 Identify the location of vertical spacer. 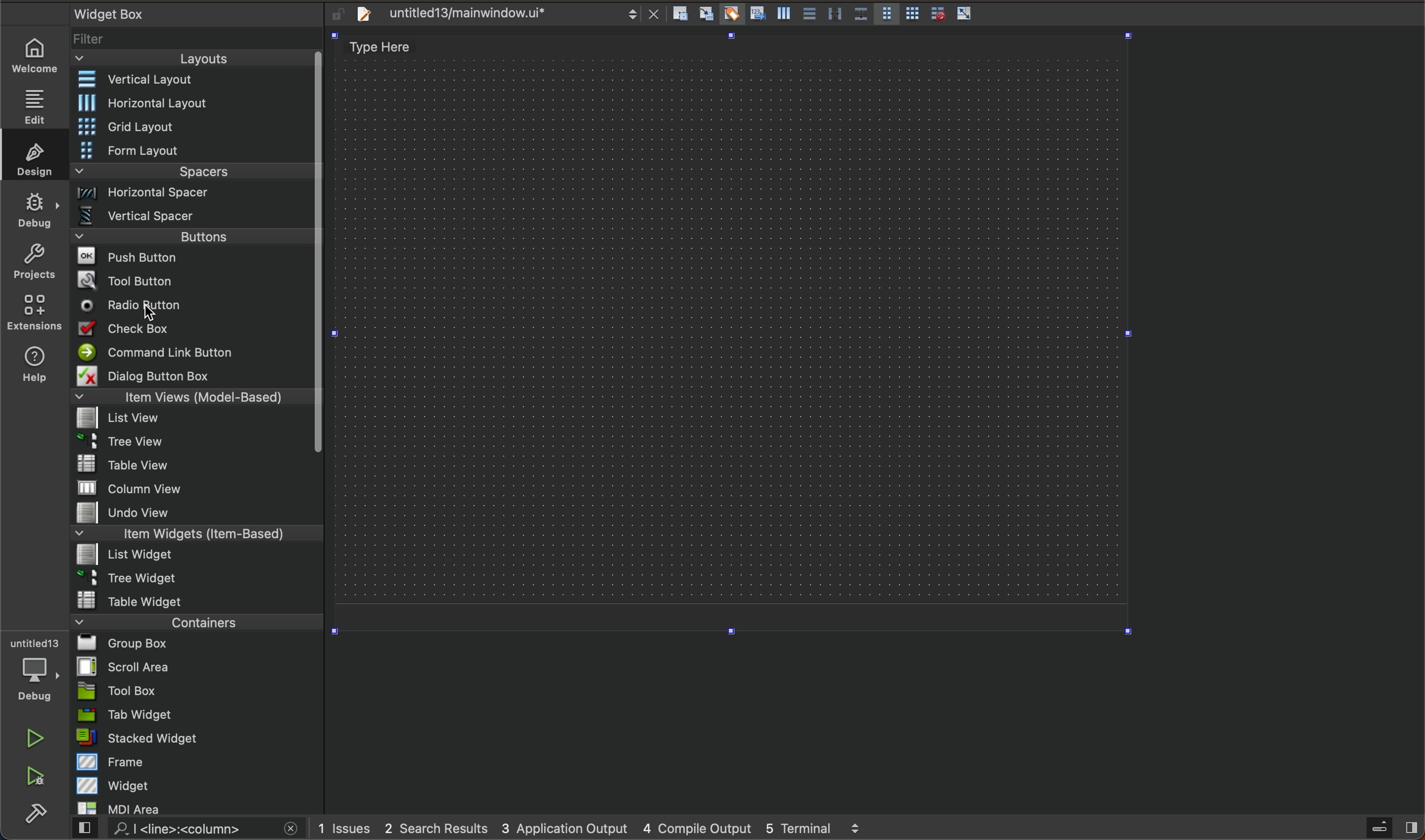
(176, 218).